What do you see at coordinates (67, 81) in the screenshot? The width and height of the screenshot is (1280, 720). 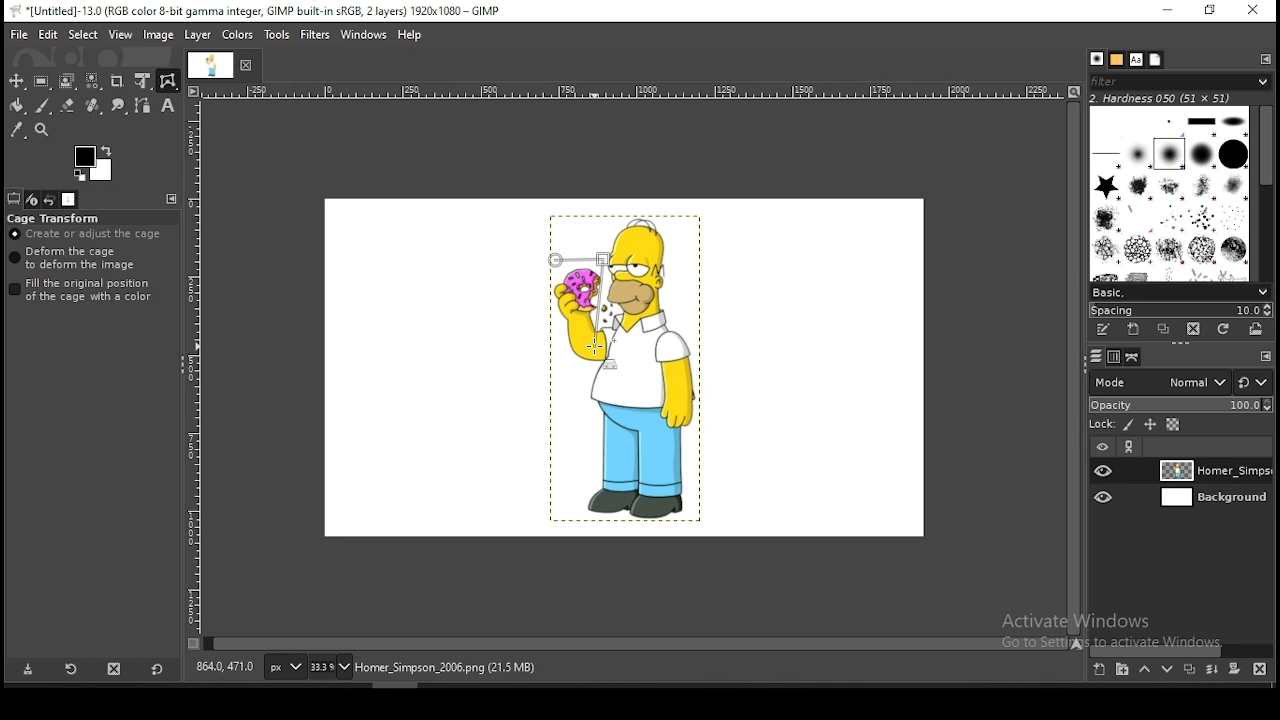 I see `foreground select tool` at bounding box center [67, 81].